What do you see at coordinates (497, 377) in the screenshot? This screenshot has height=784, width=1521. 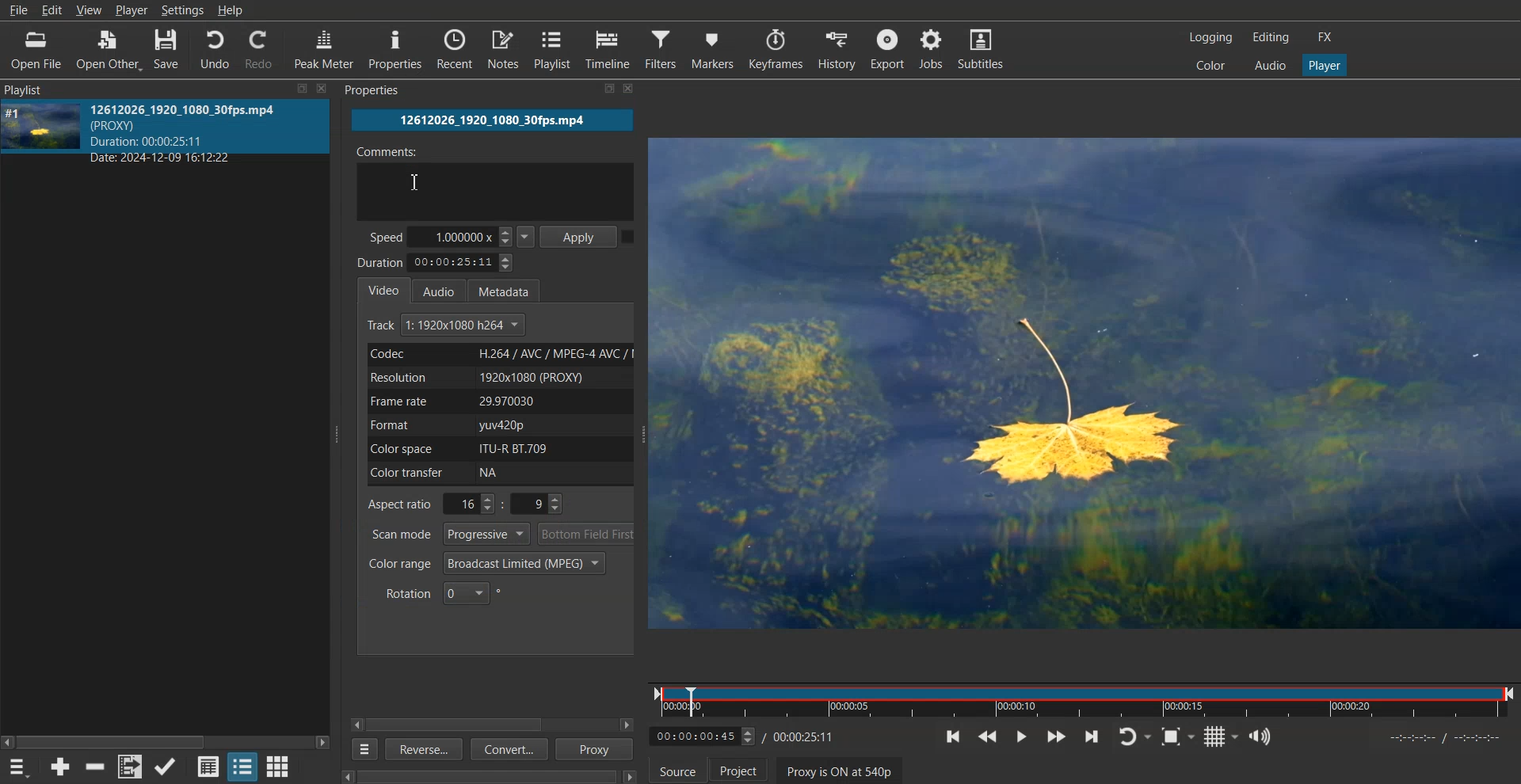 I see `Resolution` at bounding box center [497, 377].